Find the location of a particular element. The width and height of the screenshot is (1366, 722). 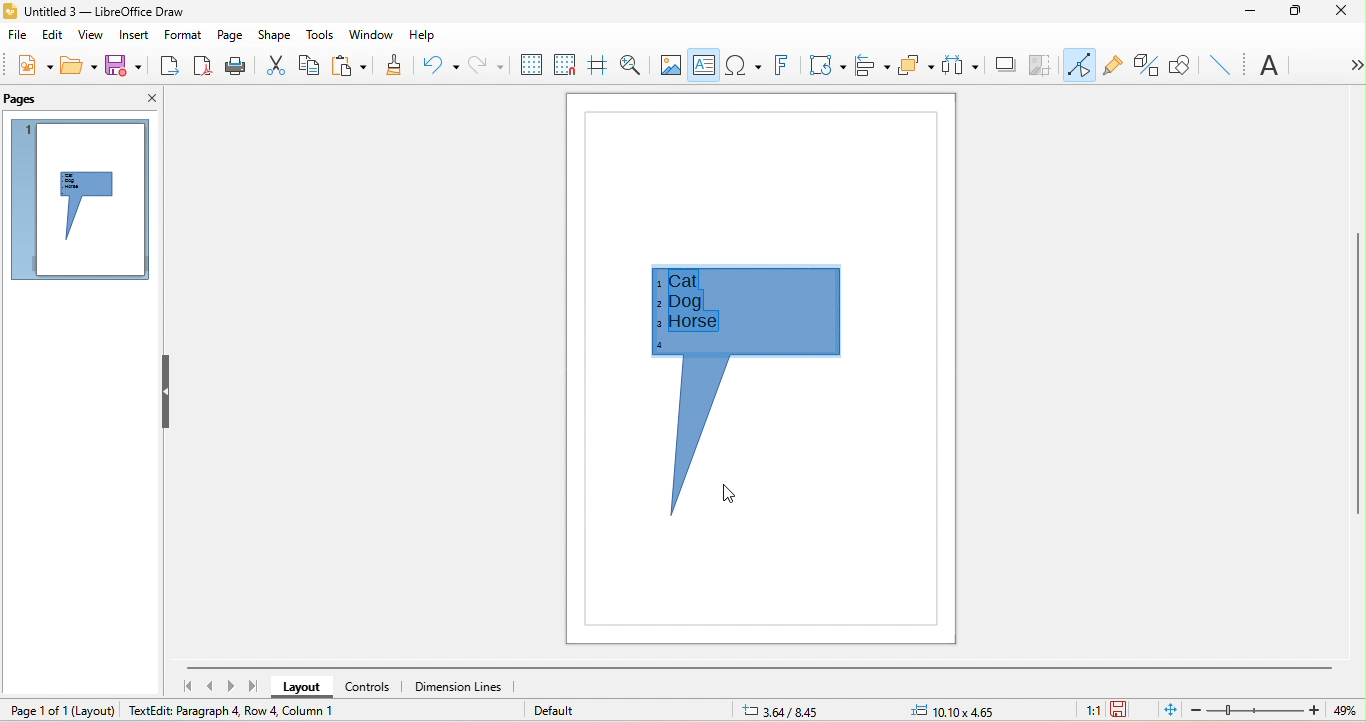

Inserted a numbering list into a callout is located at coordinates (751, 397).